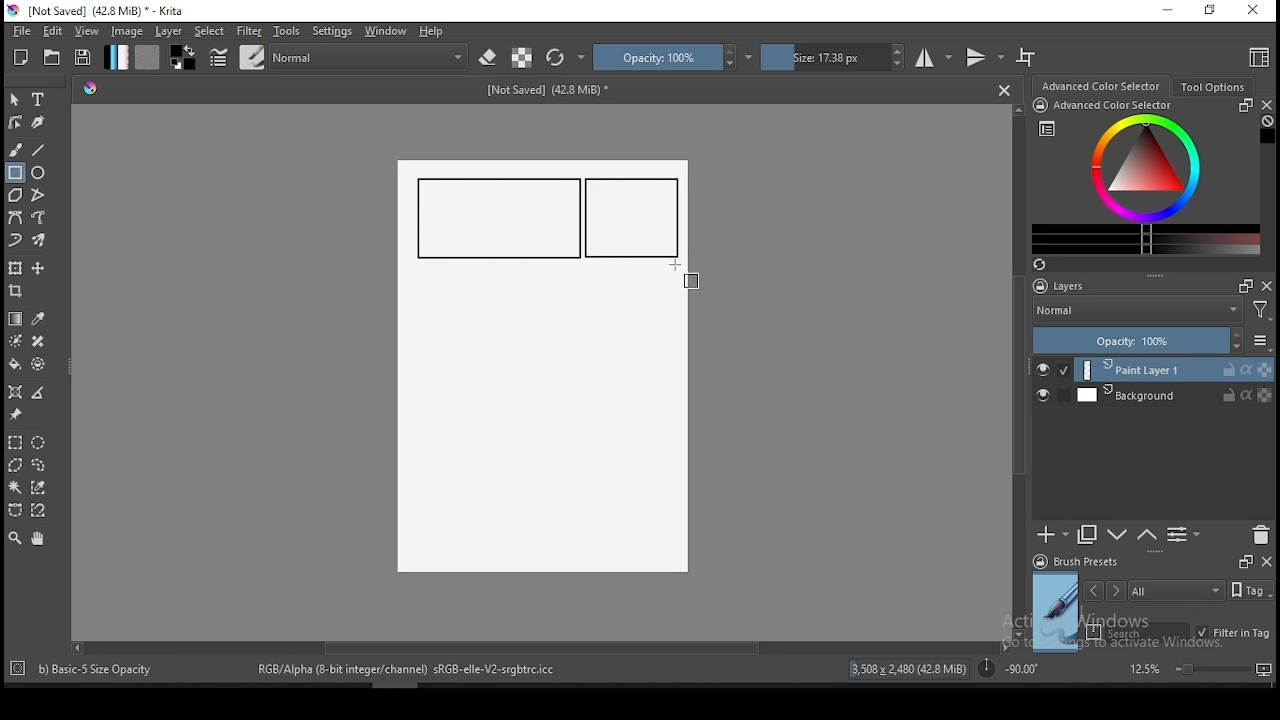  Describe the element at coordinates (332, 31) in the screenshot. I see `settings` at that location.